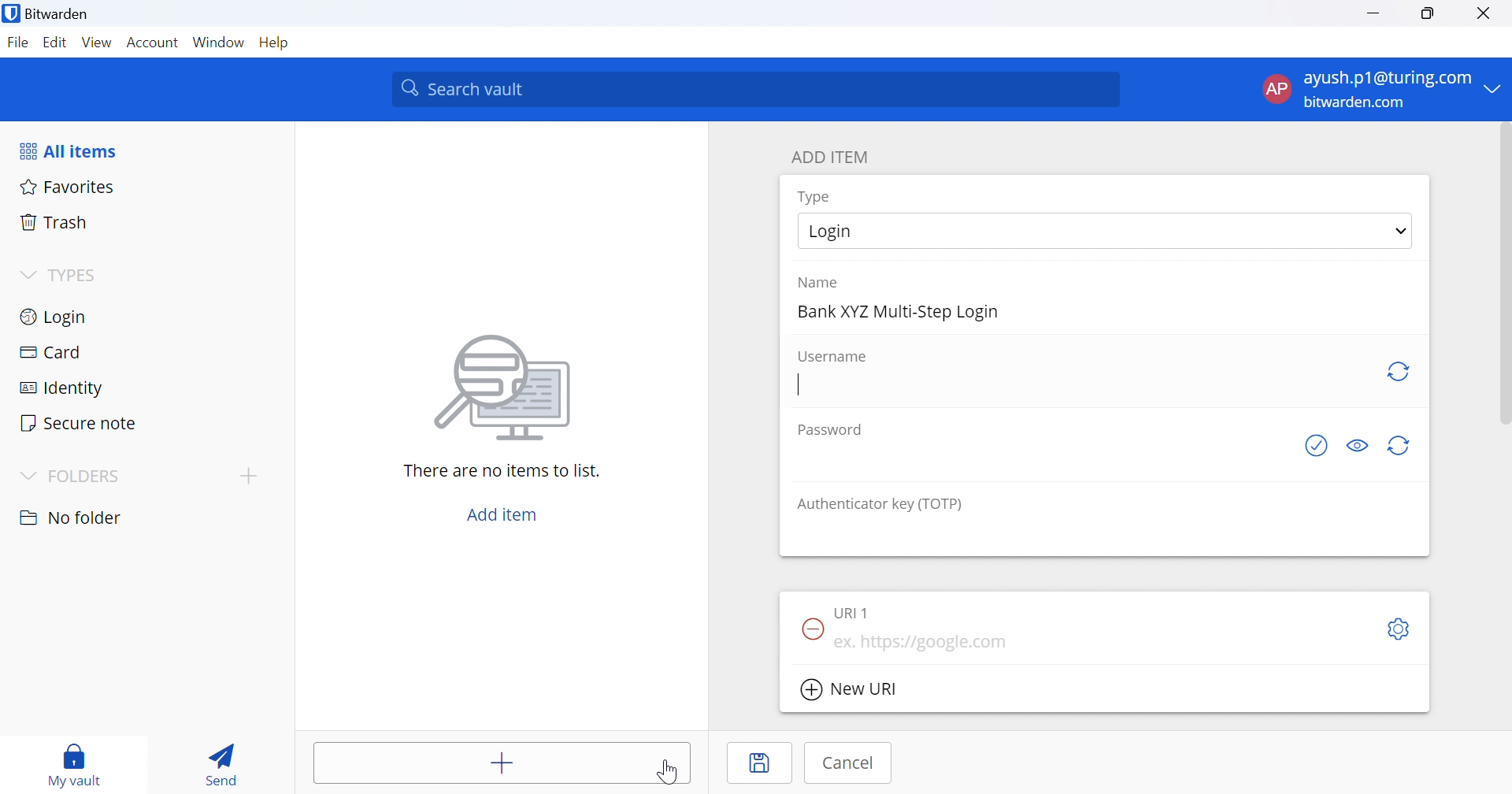 The height and width of the screenshot is (794, 1512). What do you see at coordinates (72, 518) in the screenshot?
I see `No folder` at bounding box center [72, 518].